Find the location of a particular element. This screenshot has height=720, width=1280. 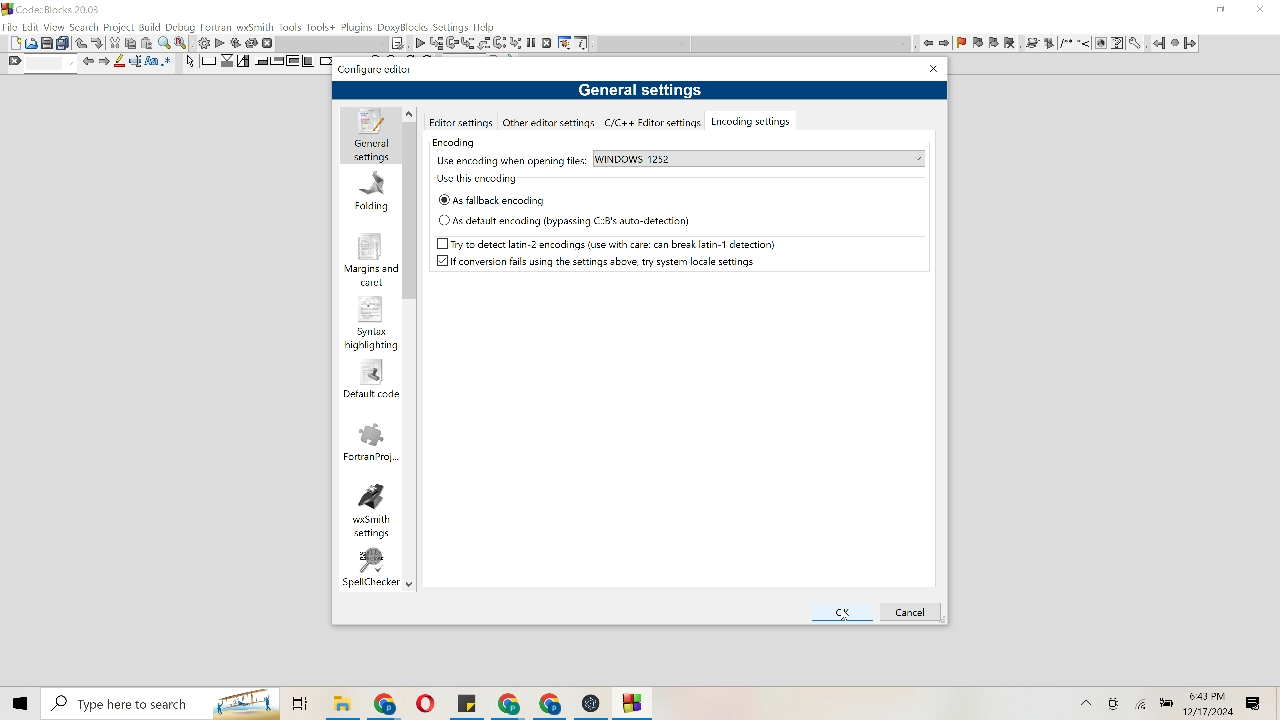

Play is located at coordinates (220, 43).